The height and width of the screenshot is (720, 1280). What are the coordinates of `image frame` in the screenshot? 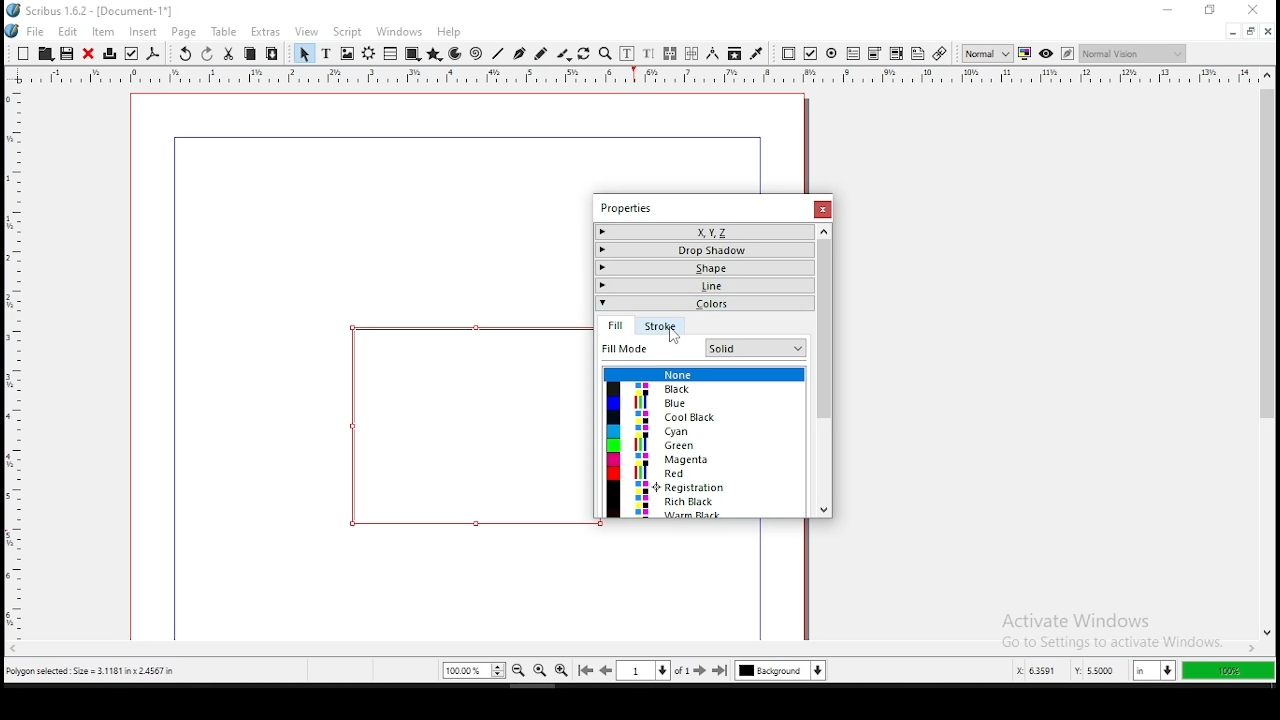 It's located at (347, 53).